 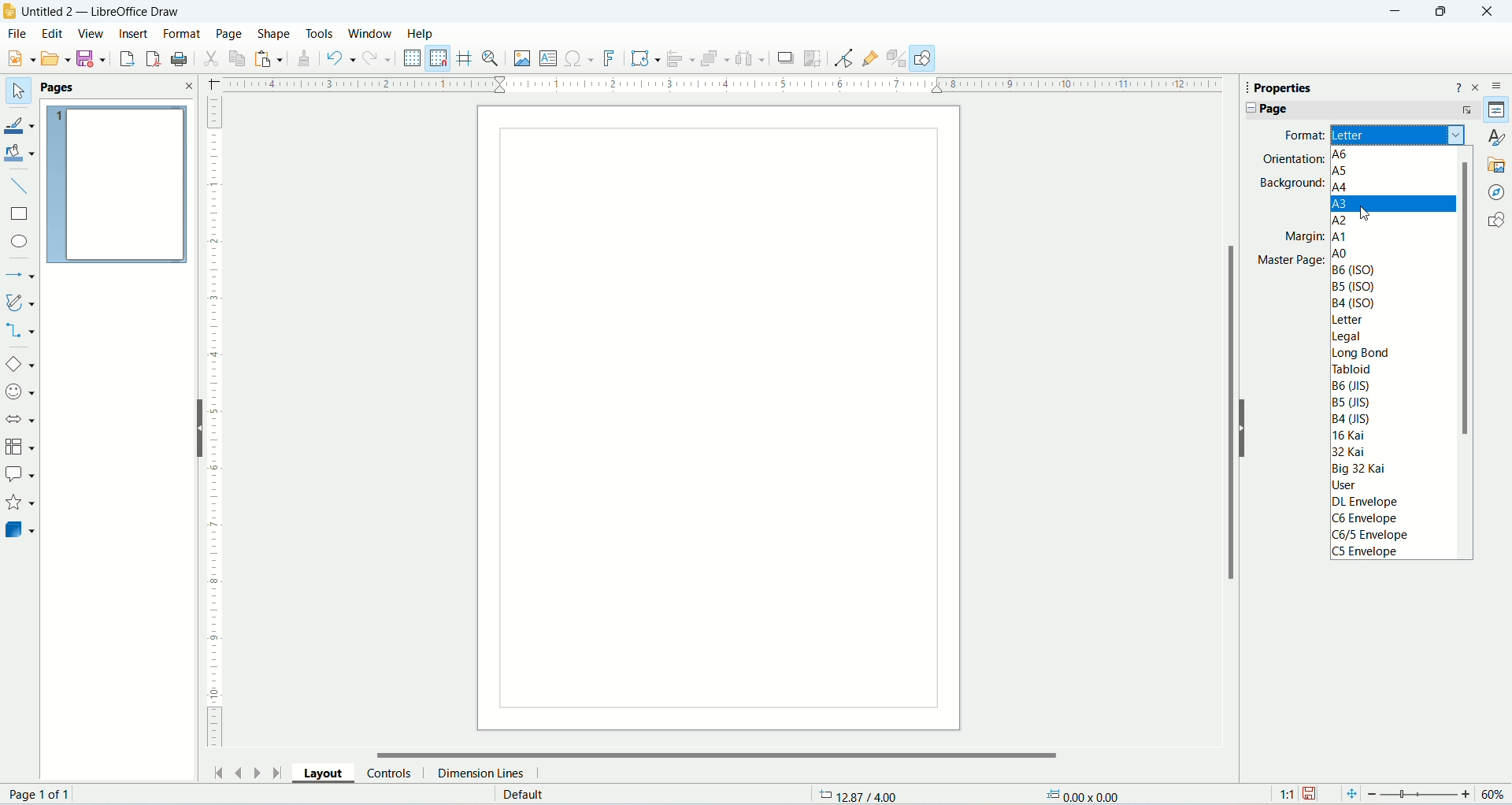 What do you see at coordinates (922, 58) in the screenshot?
I see `DRAW FUNCTION` at bounding box center [922, 58].